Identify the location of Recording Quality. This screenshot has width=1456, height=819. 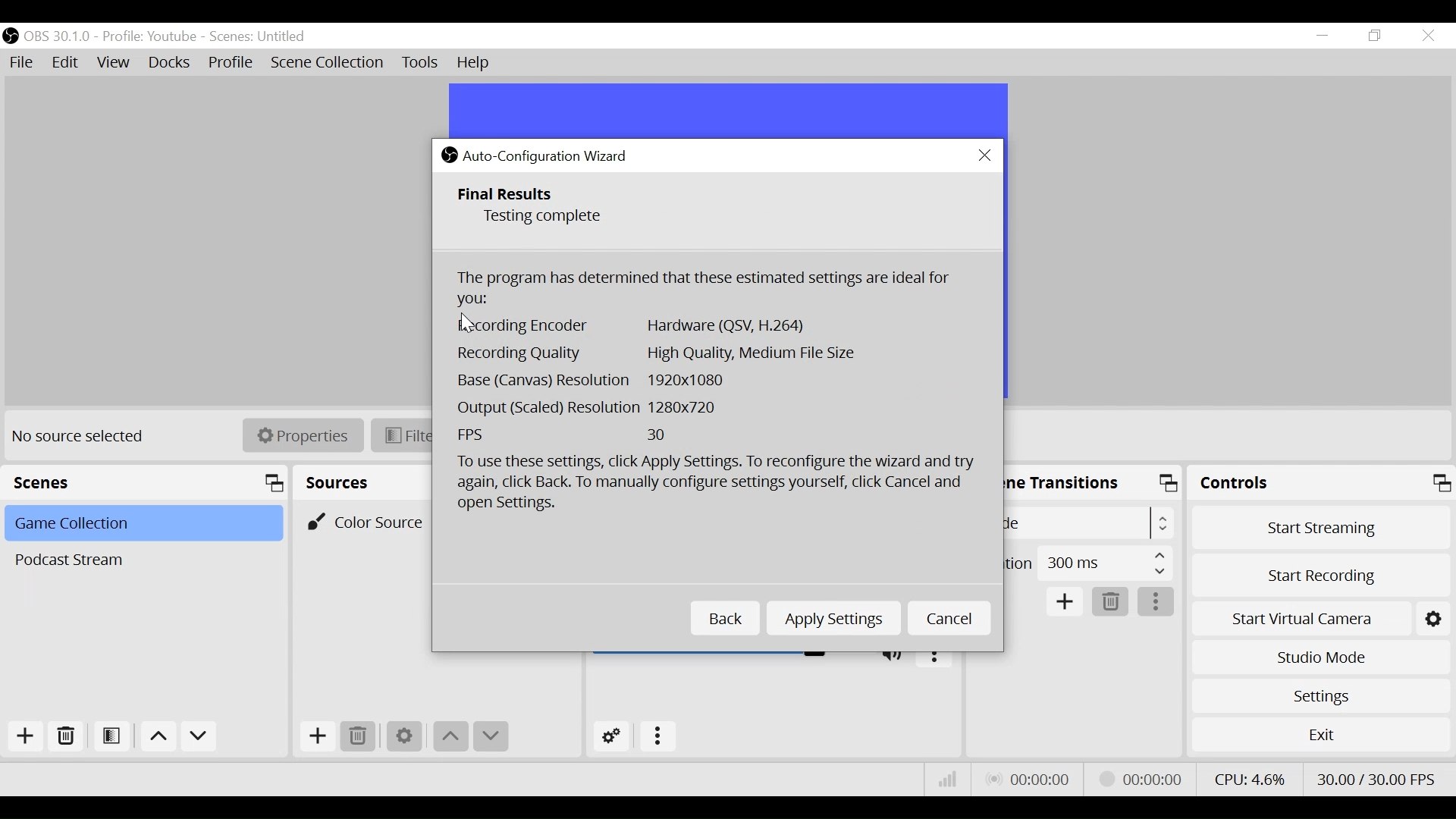
(668, 354).